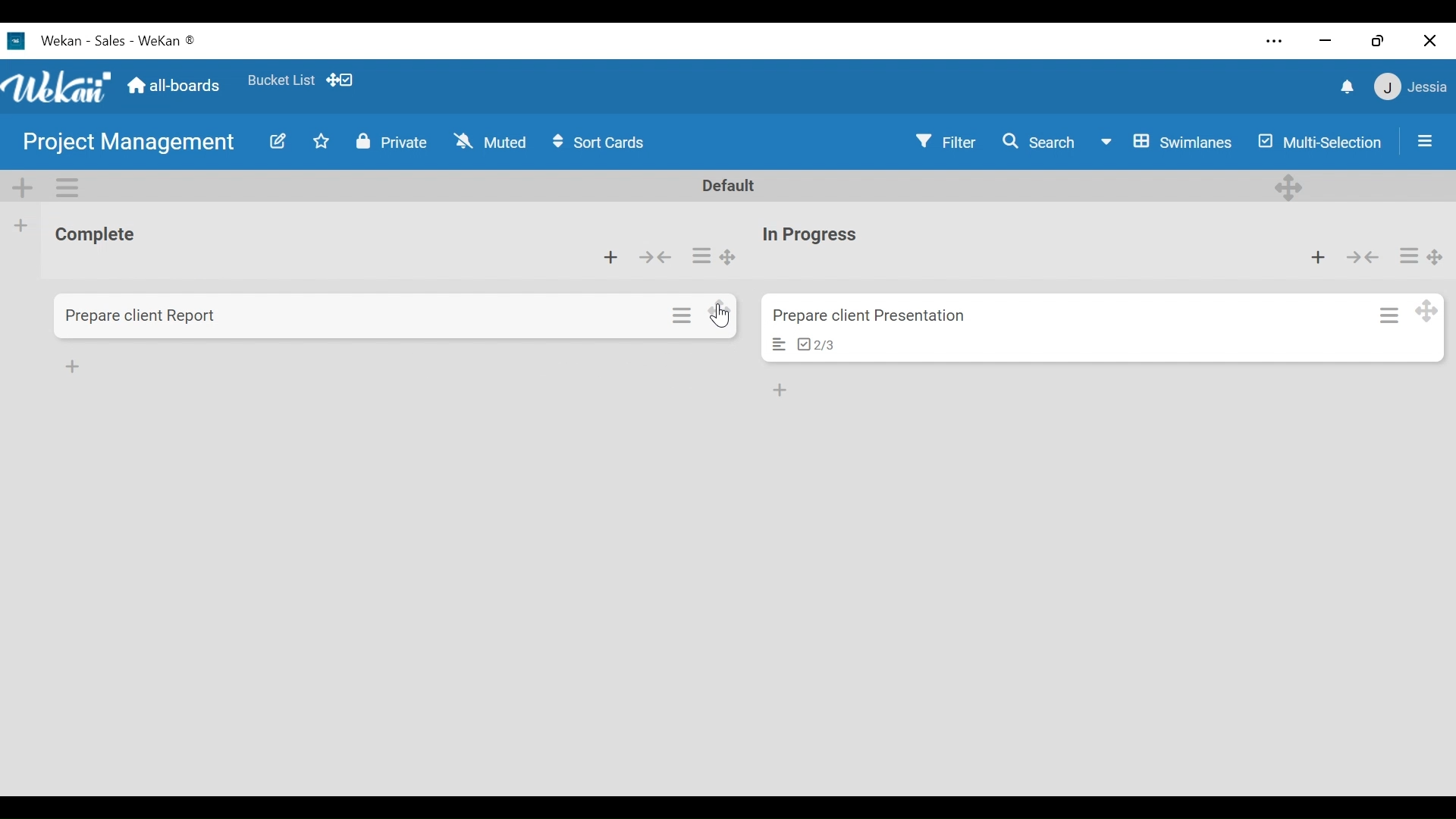 The image size is (1456, 819). I want to click on checklist, so click(816, 344).